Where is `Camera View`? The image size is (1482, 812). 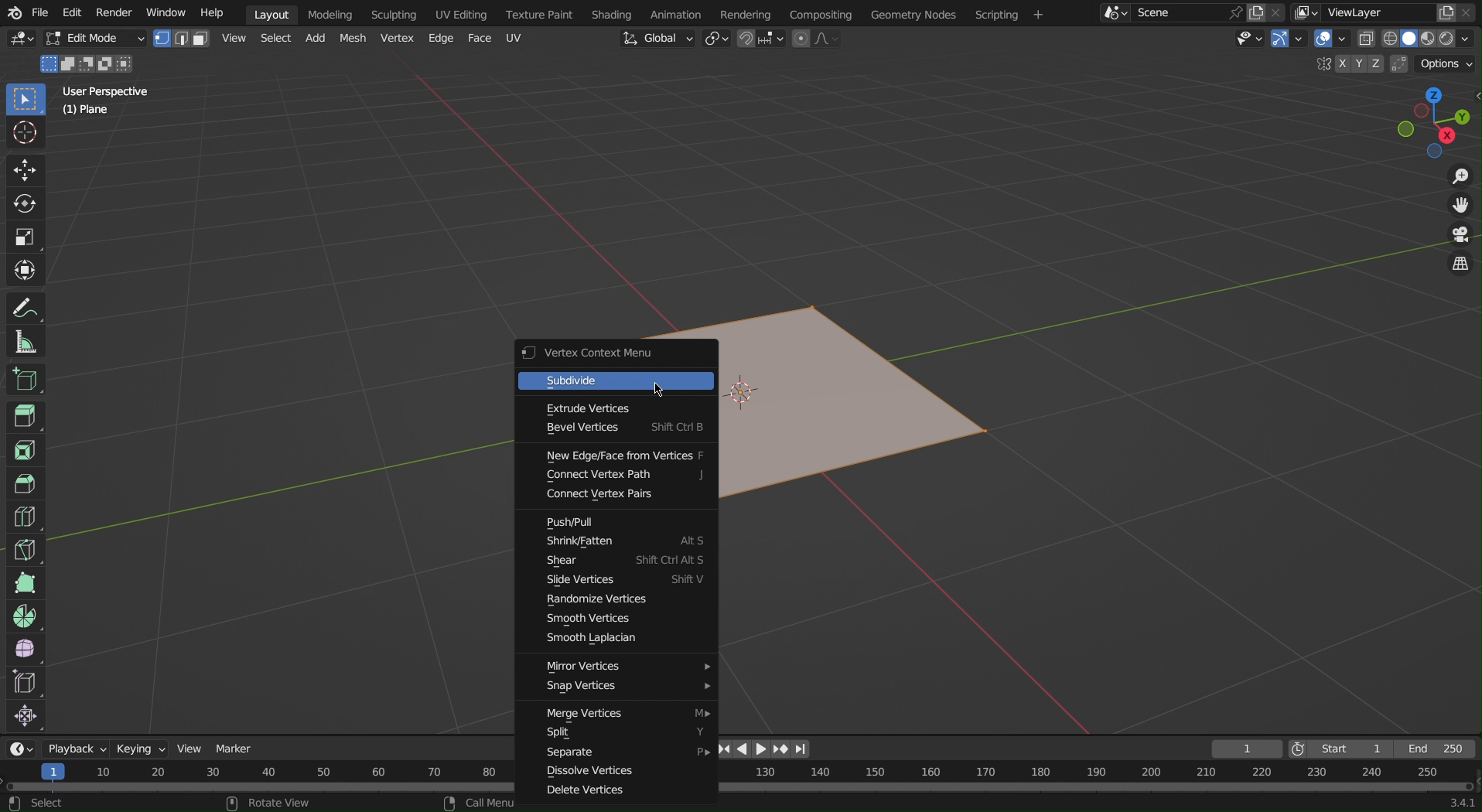 Camera View is located at coordinates (1460, 237).